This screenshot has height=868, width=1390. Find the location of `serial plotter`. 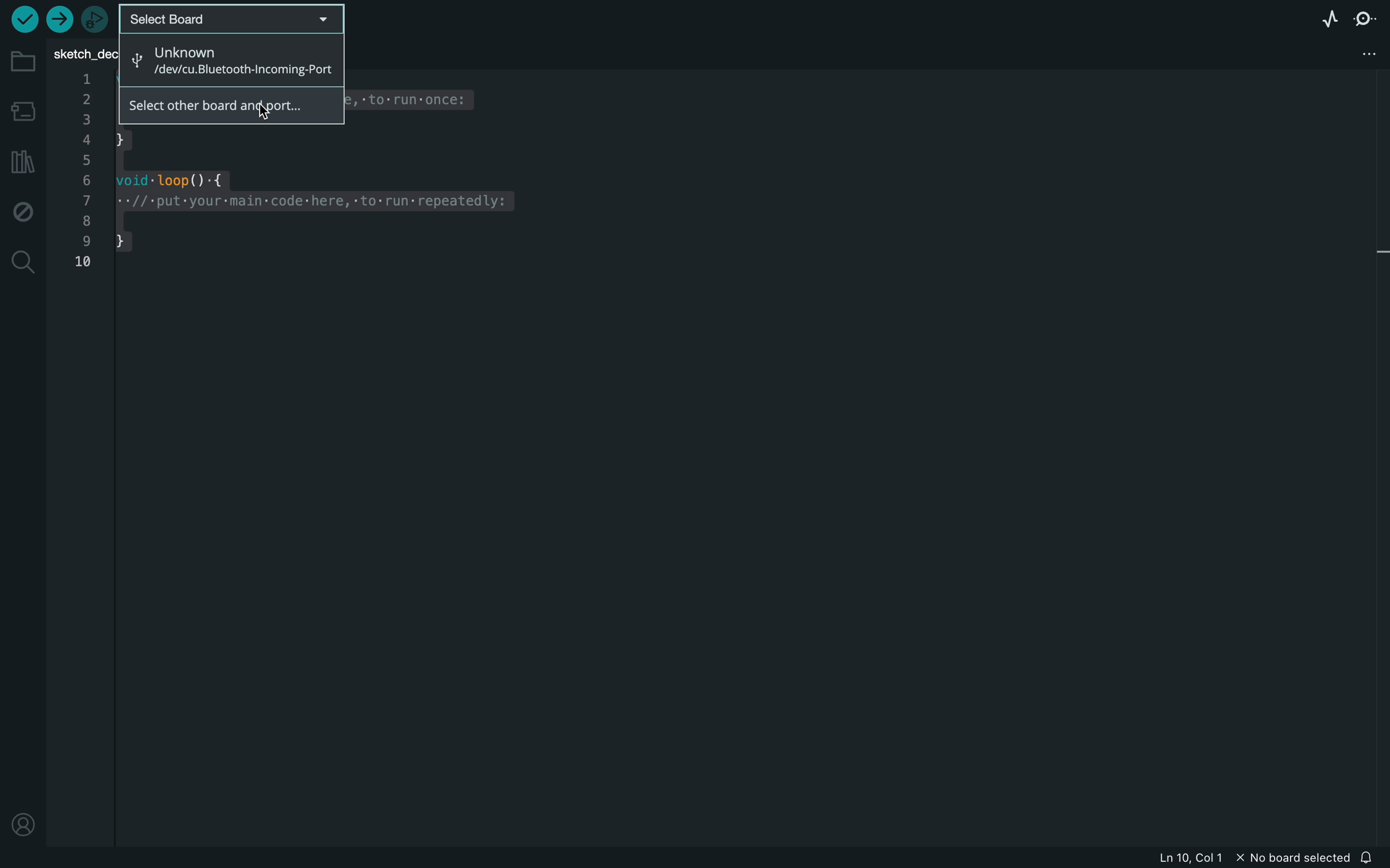

serial plotter is located at coordinates (1327, 19).